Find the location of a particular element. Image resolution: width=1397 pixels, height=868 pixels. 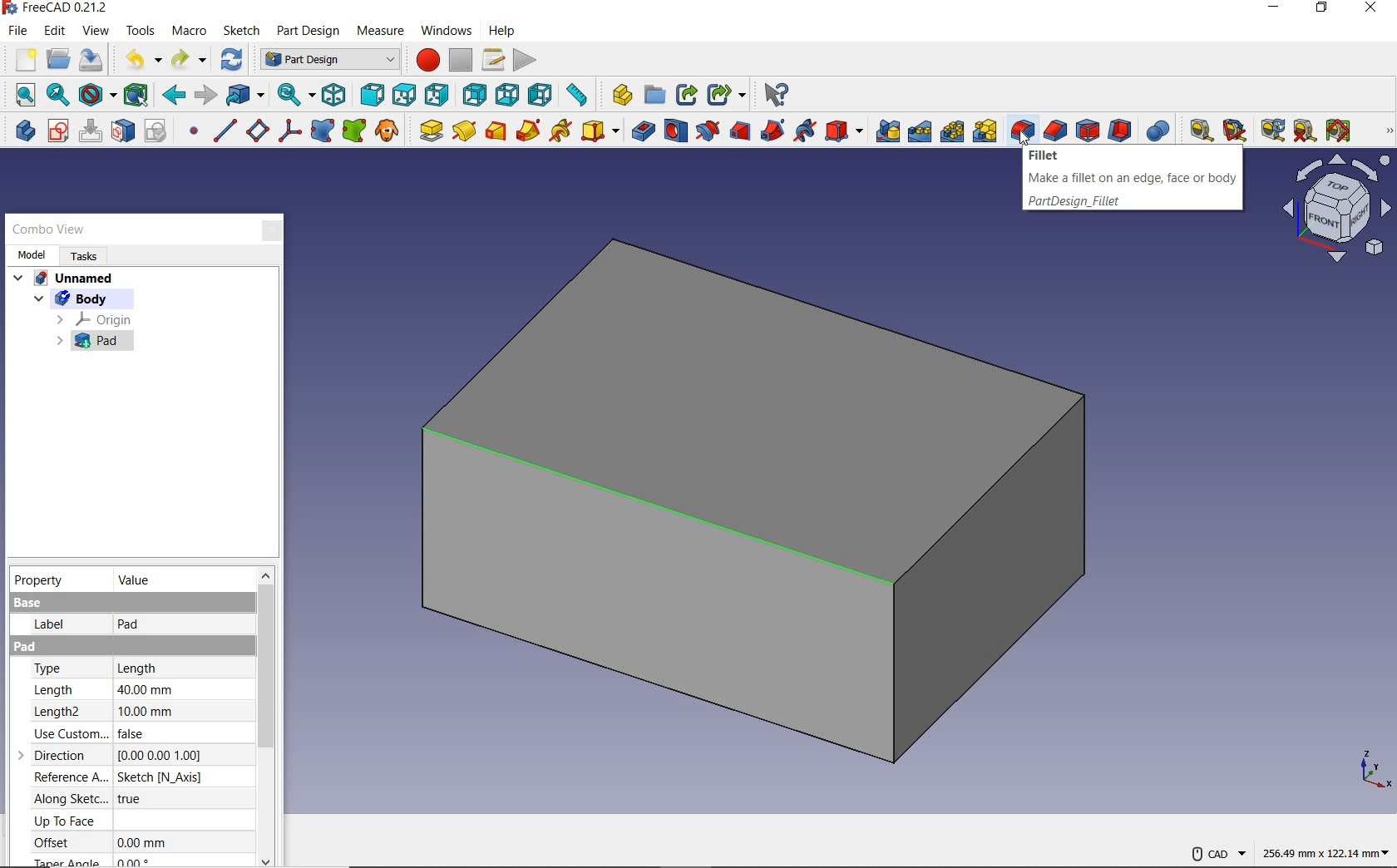

pad is located at coordinates (27, 649).